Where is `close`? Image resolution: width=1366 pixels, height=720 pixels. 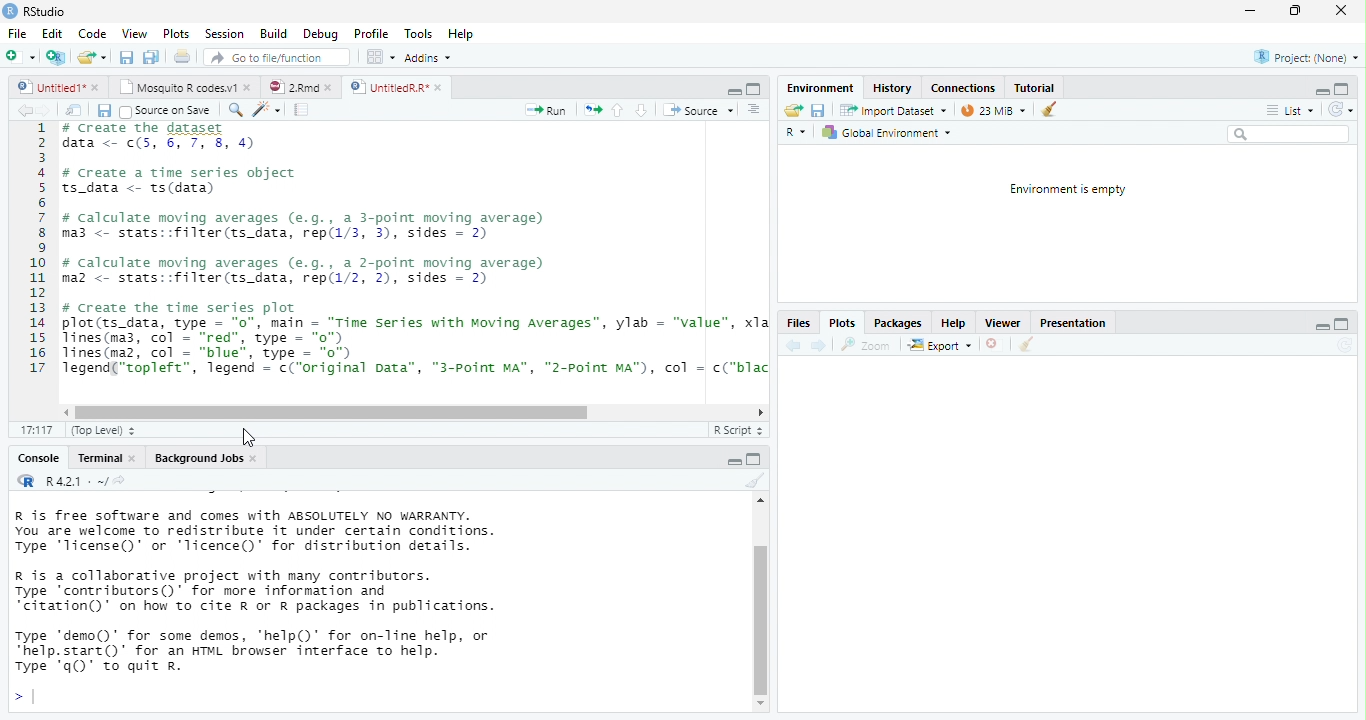
close is located at coordinates (97, 88).